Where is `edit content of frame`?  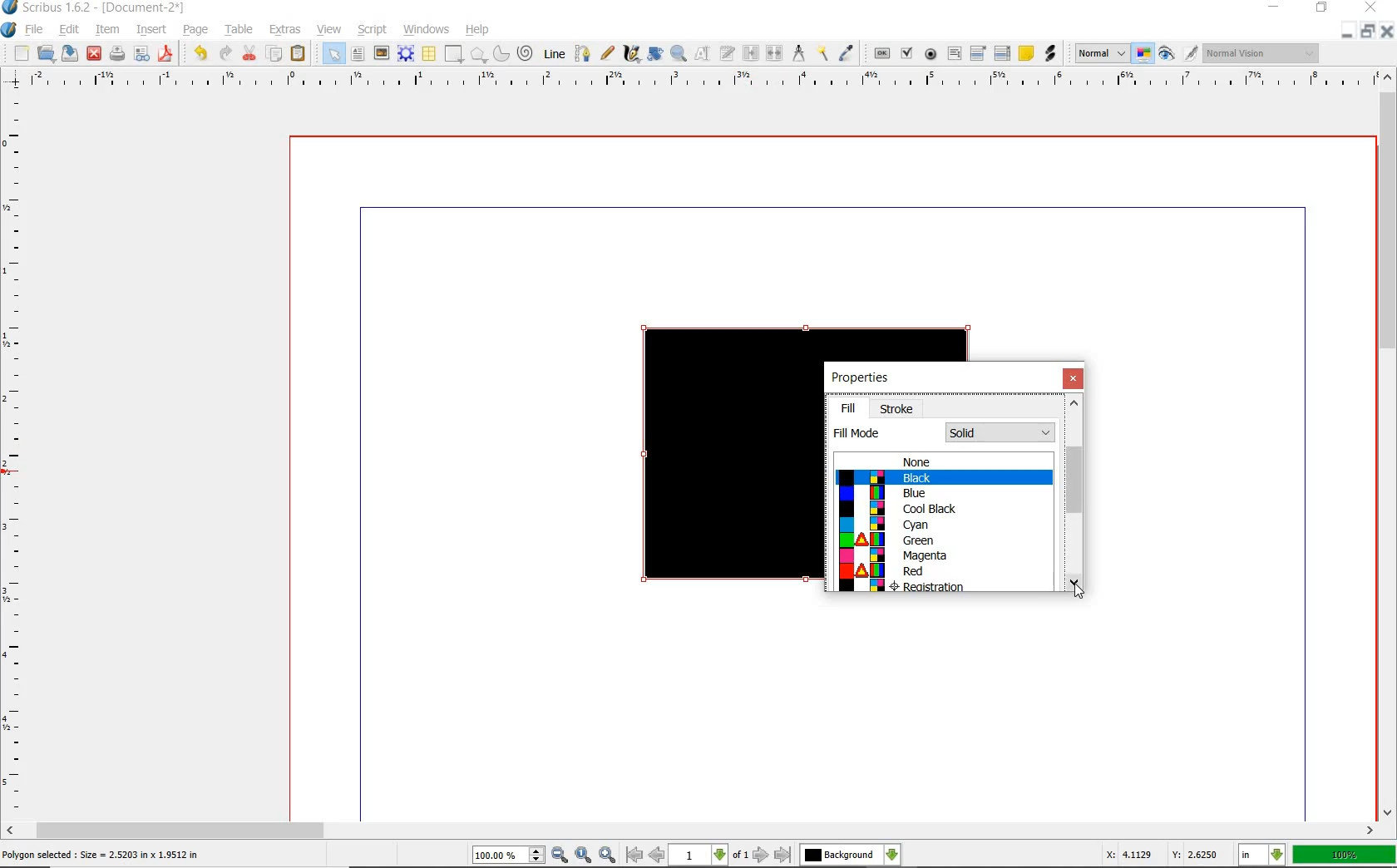
edit content of frame is located at coordinates (701, 54).